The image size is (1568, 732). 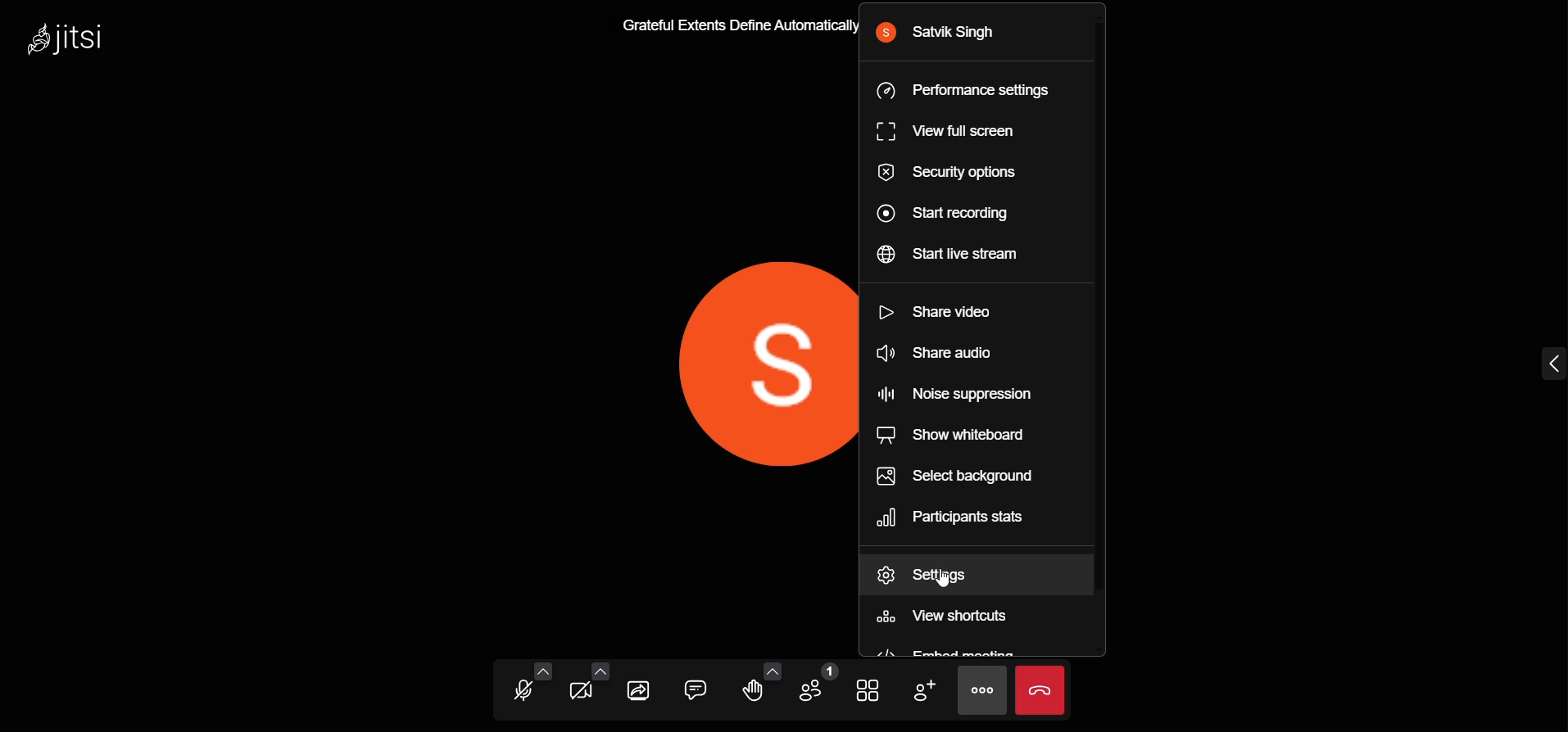 What do you see at coordinates (945, 216) in the screenshot?
I see `start recording` at bounding box center [945, 216].